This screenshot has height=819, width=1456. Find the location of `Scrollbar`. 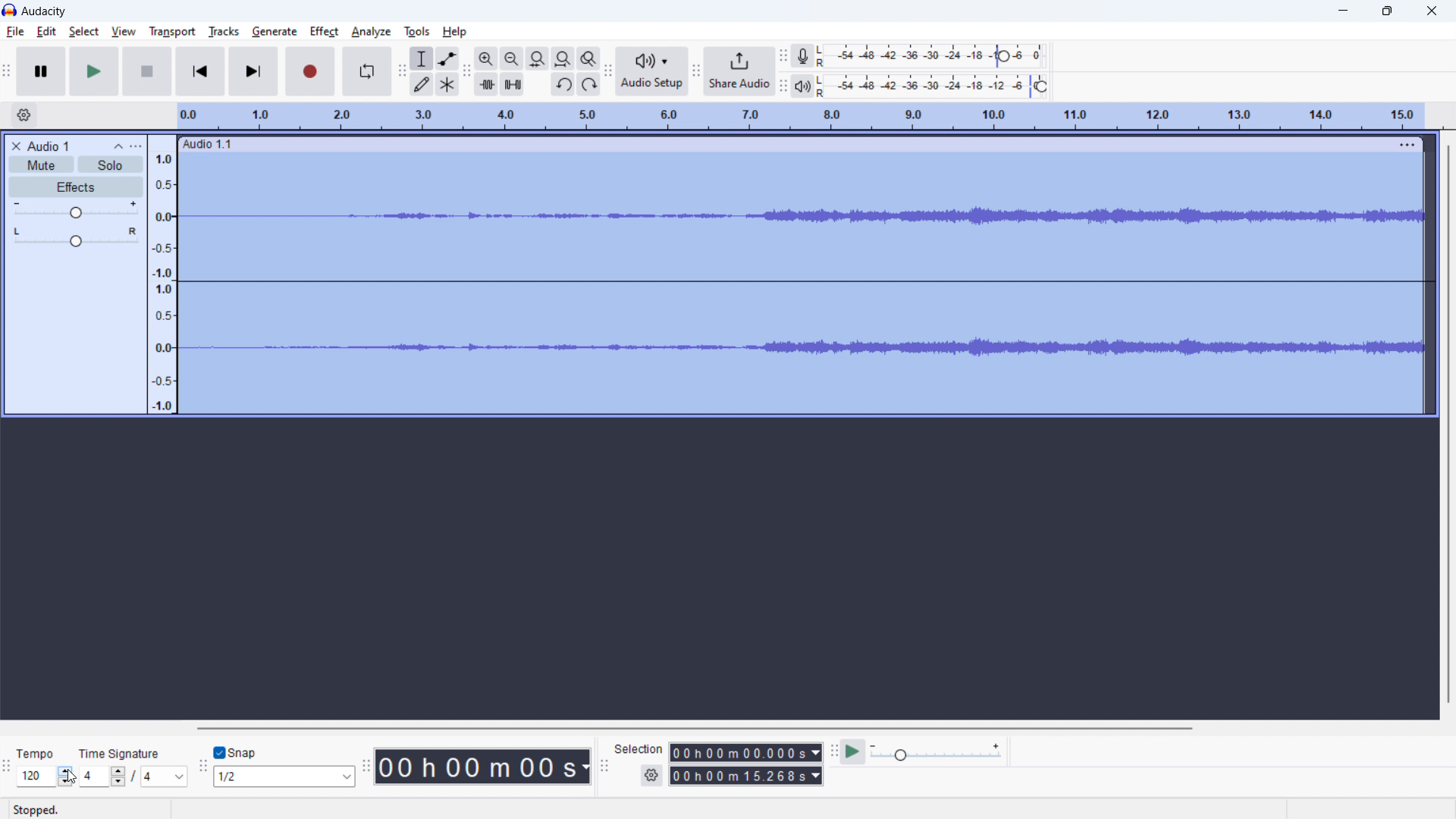

Scrollbar is located at coordinates (1448, 425).